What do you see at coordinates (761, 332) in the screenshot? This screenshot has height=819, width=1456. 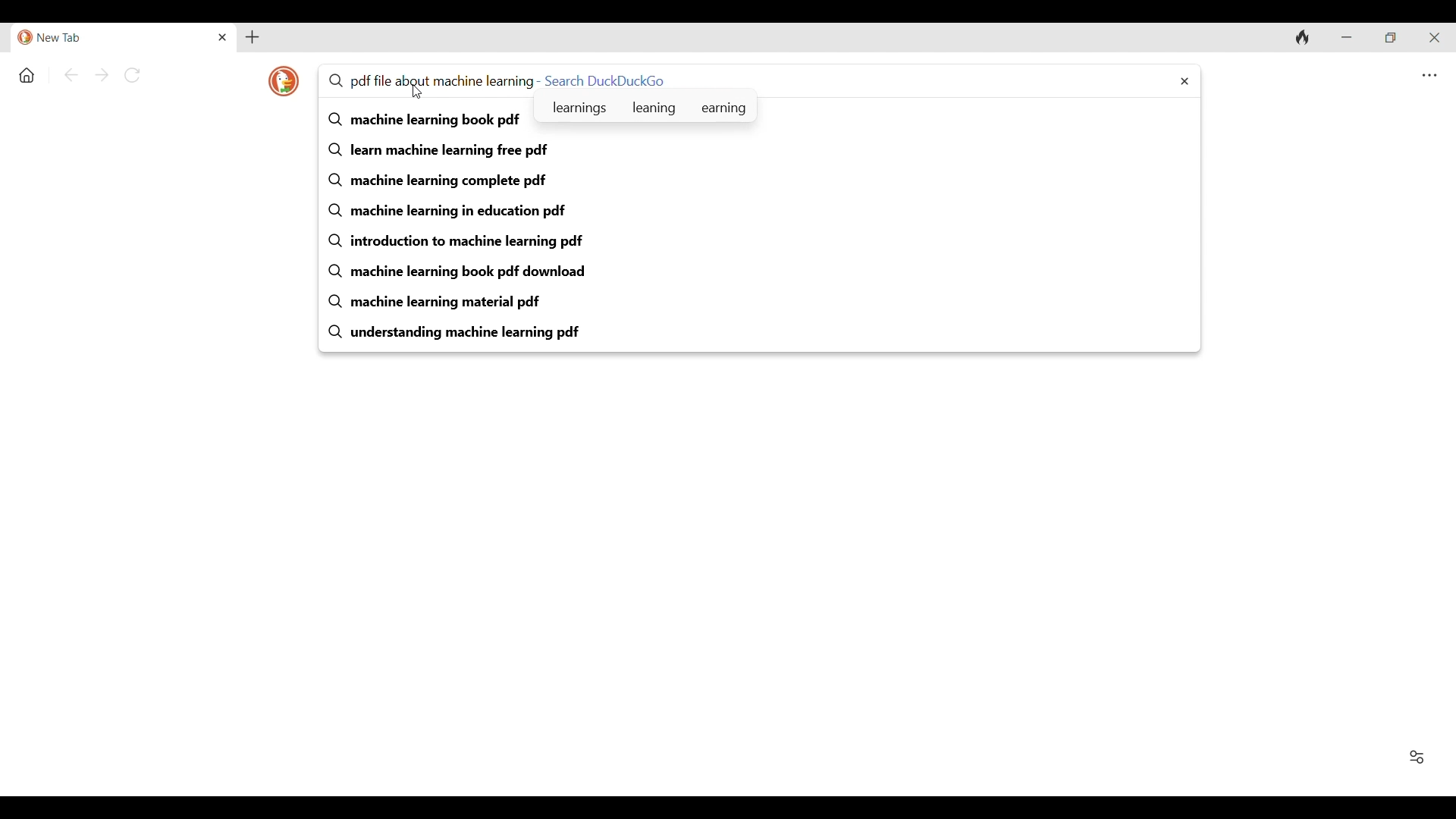 I see `understanding machine learning pdf` at bounding box center [761, 332].